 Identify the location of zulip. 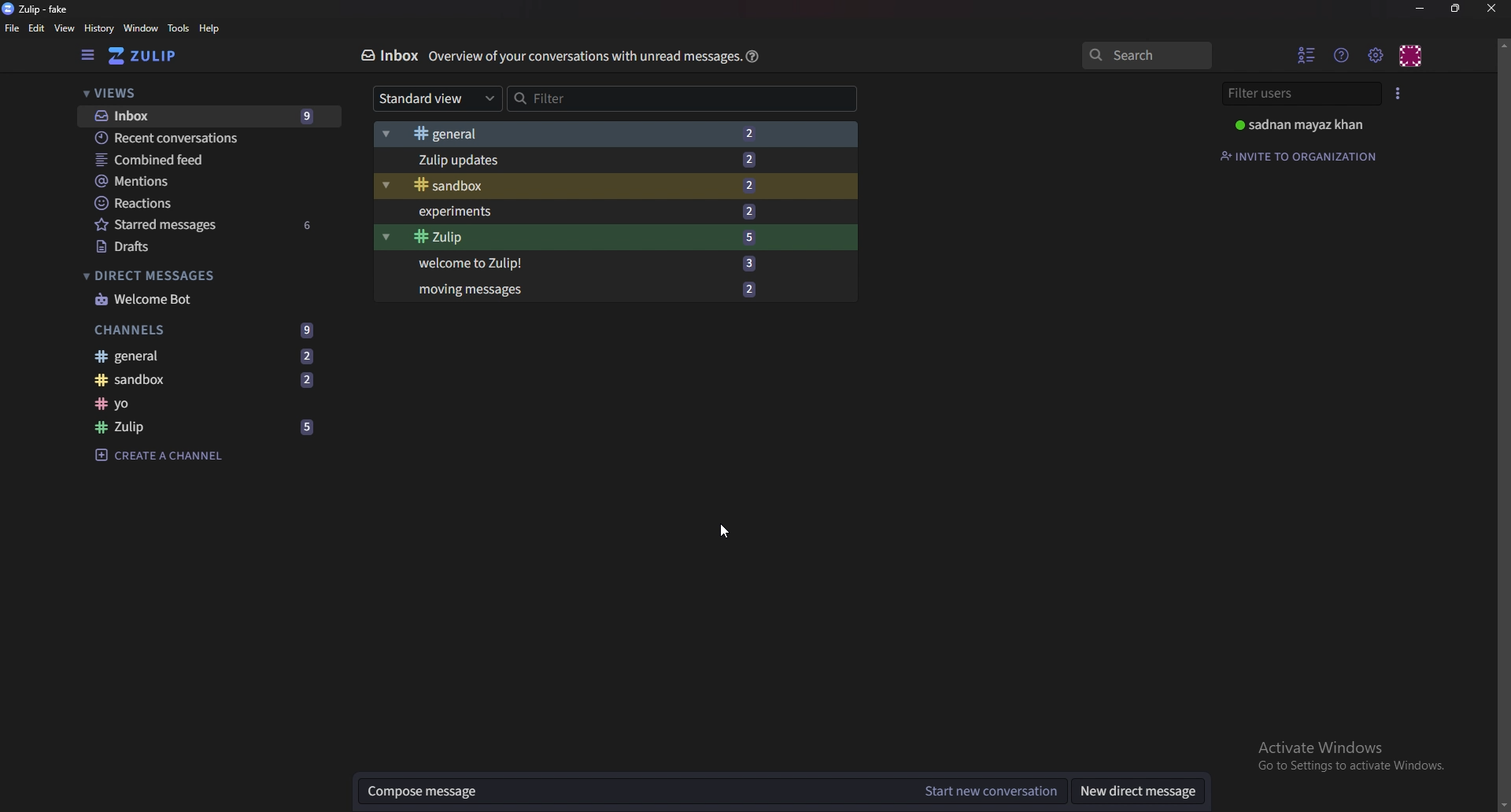
(39, 10).